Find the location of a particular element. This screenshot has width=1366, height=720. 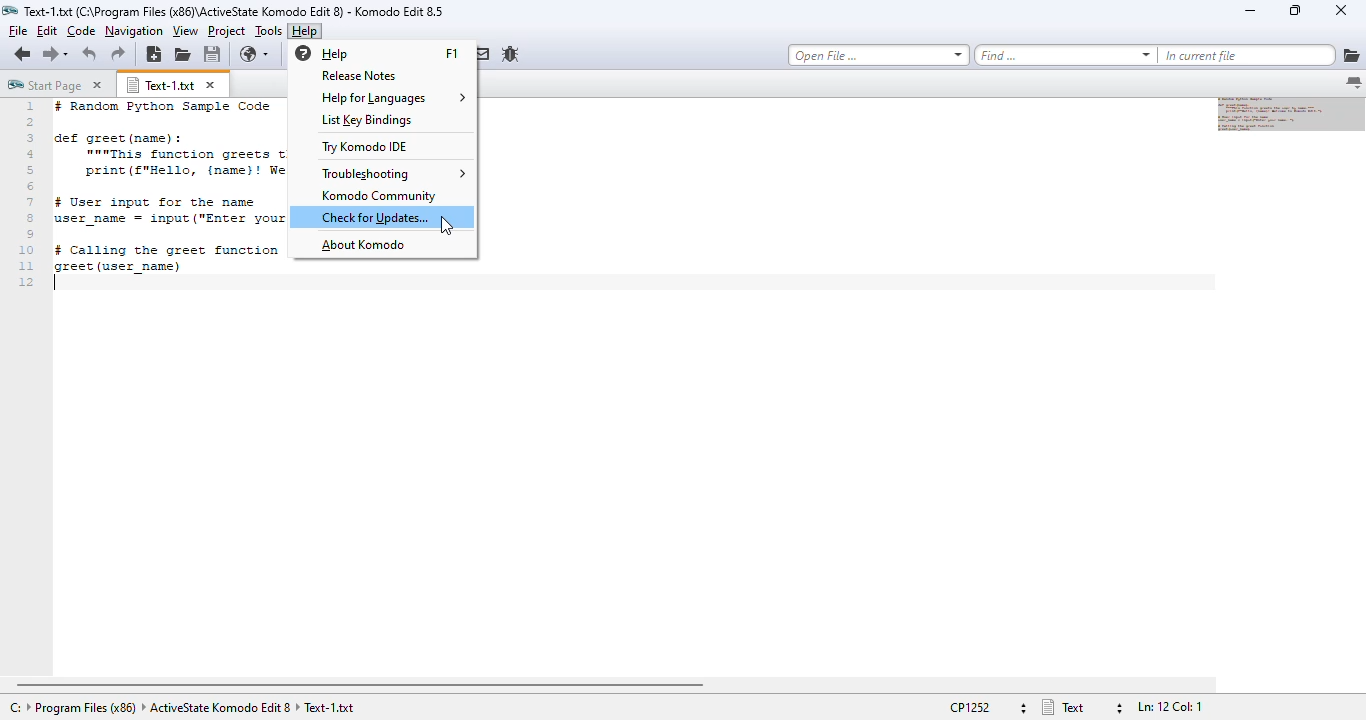

F1 is located at coordinates (450, 53).